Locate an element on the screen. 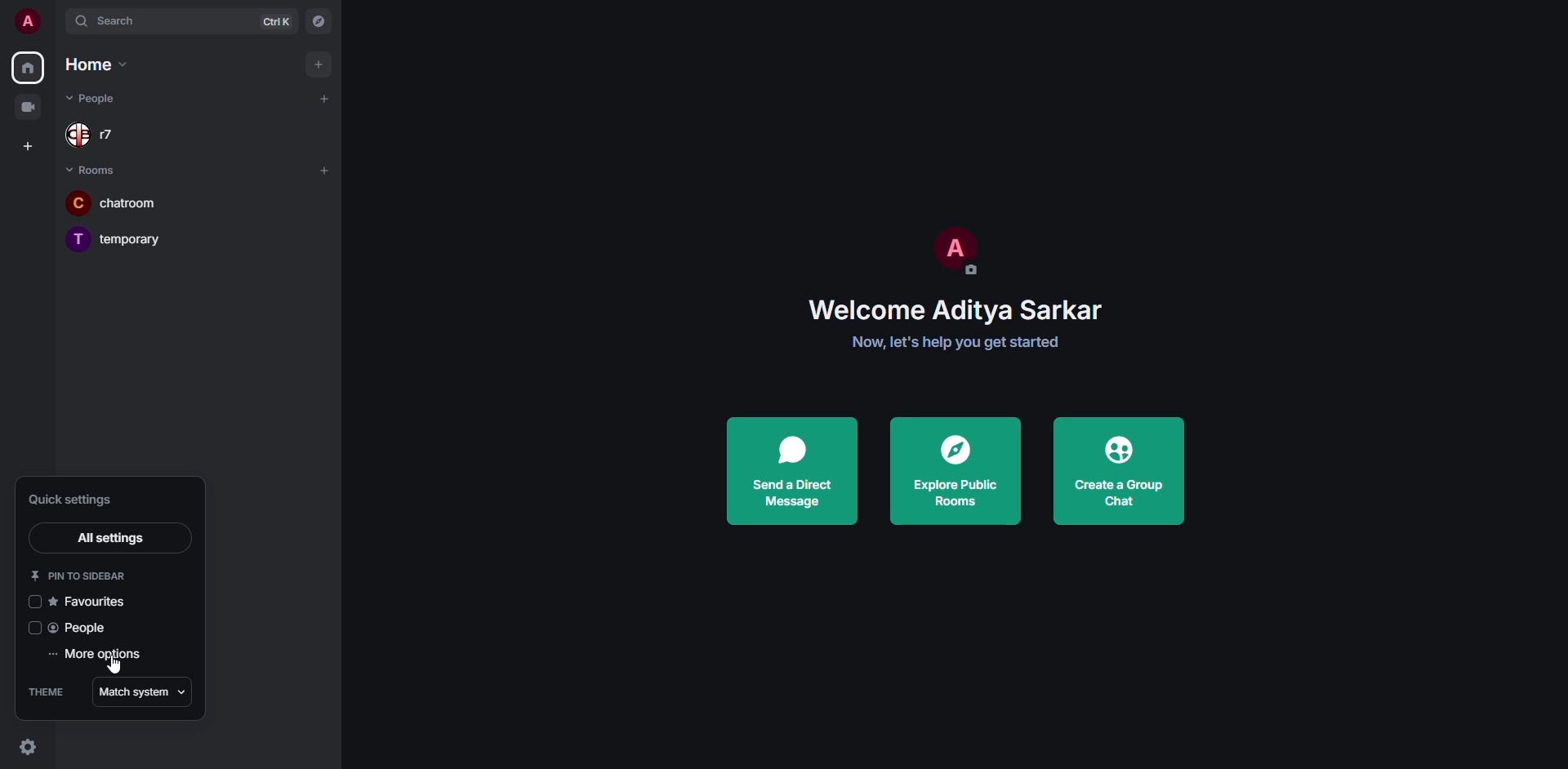  room is located at coordinates (127, 238).